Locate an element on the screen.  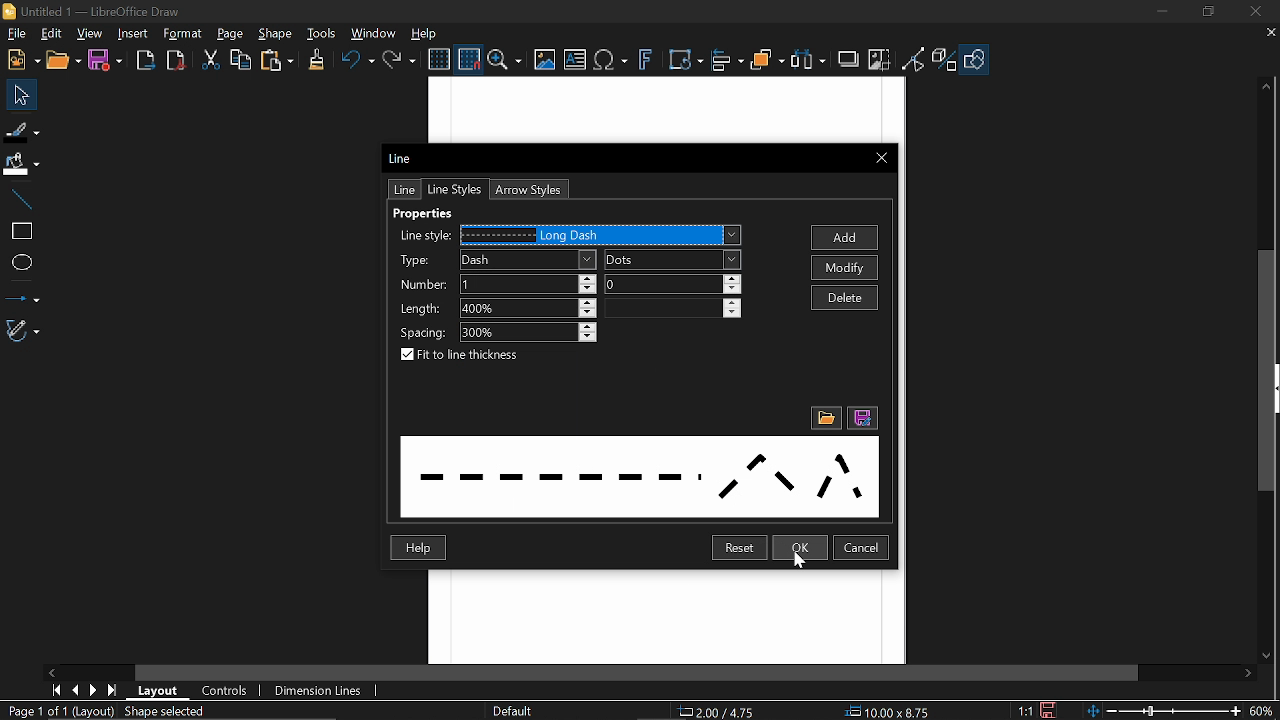
Move up is located at coordinates (1267, 87).